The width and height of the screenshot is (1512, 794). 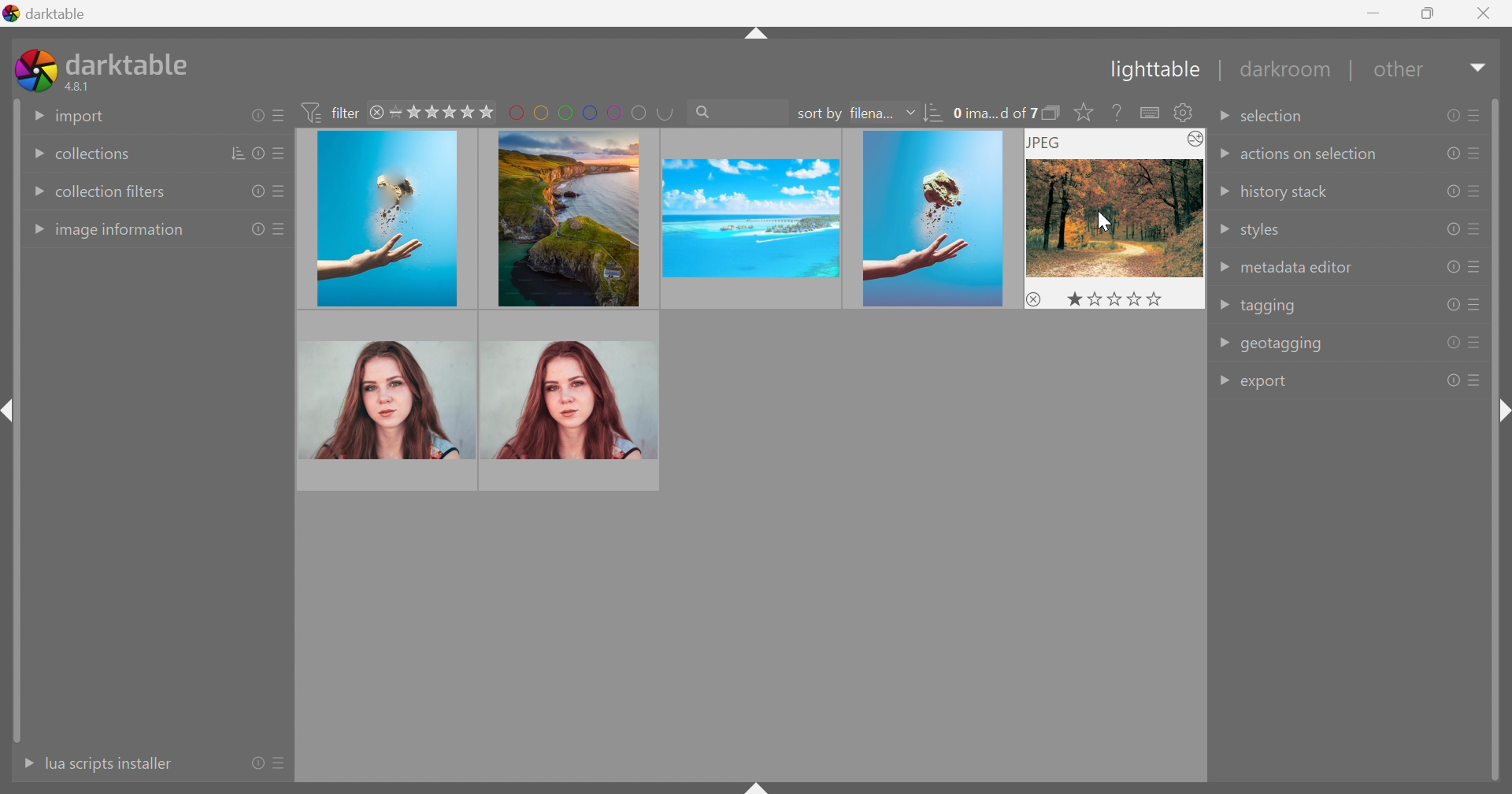 I want to click on presets, so click(x=1478, y=263).